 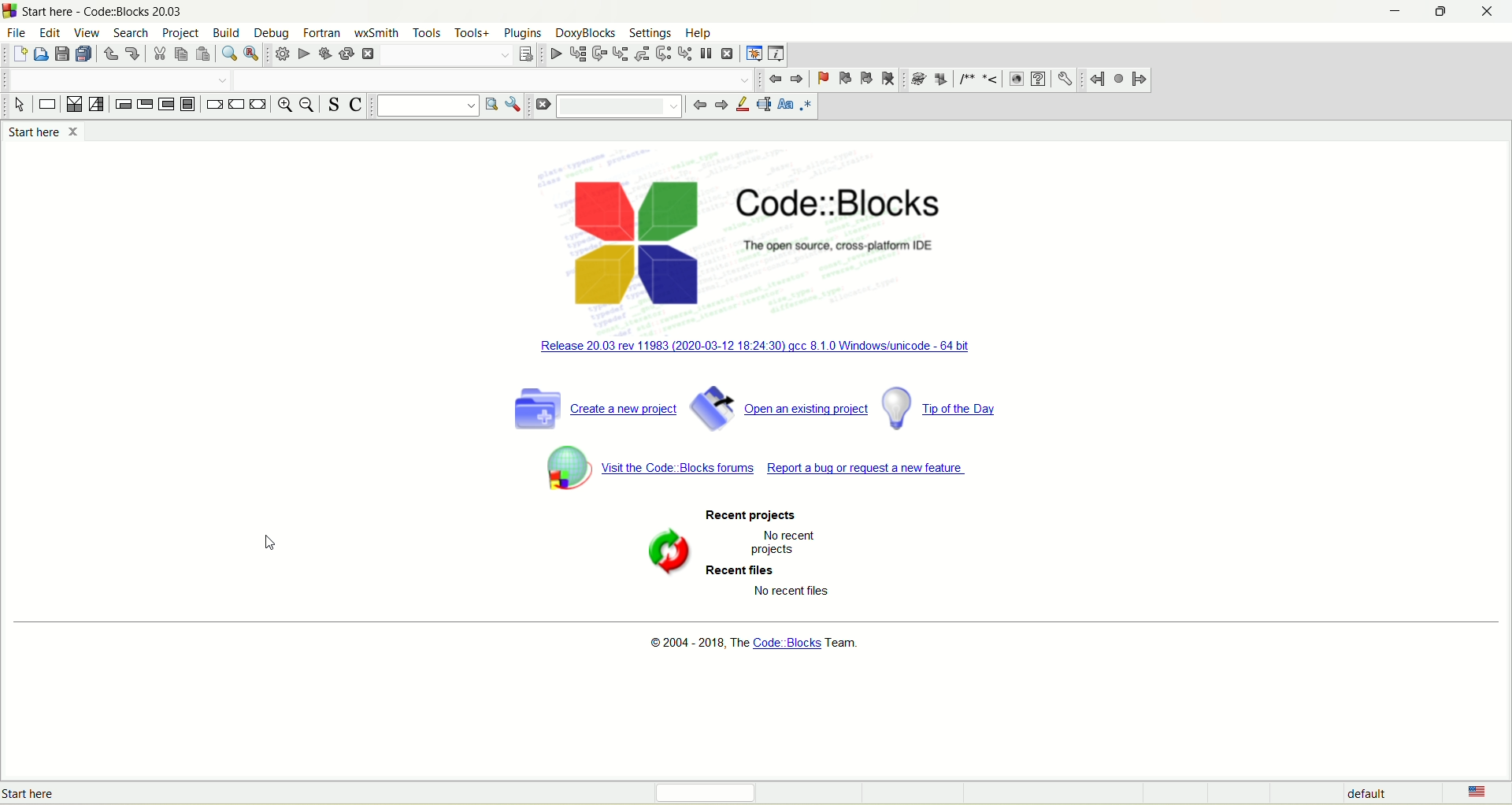 I want to click on select, so click(x=20, y=105).